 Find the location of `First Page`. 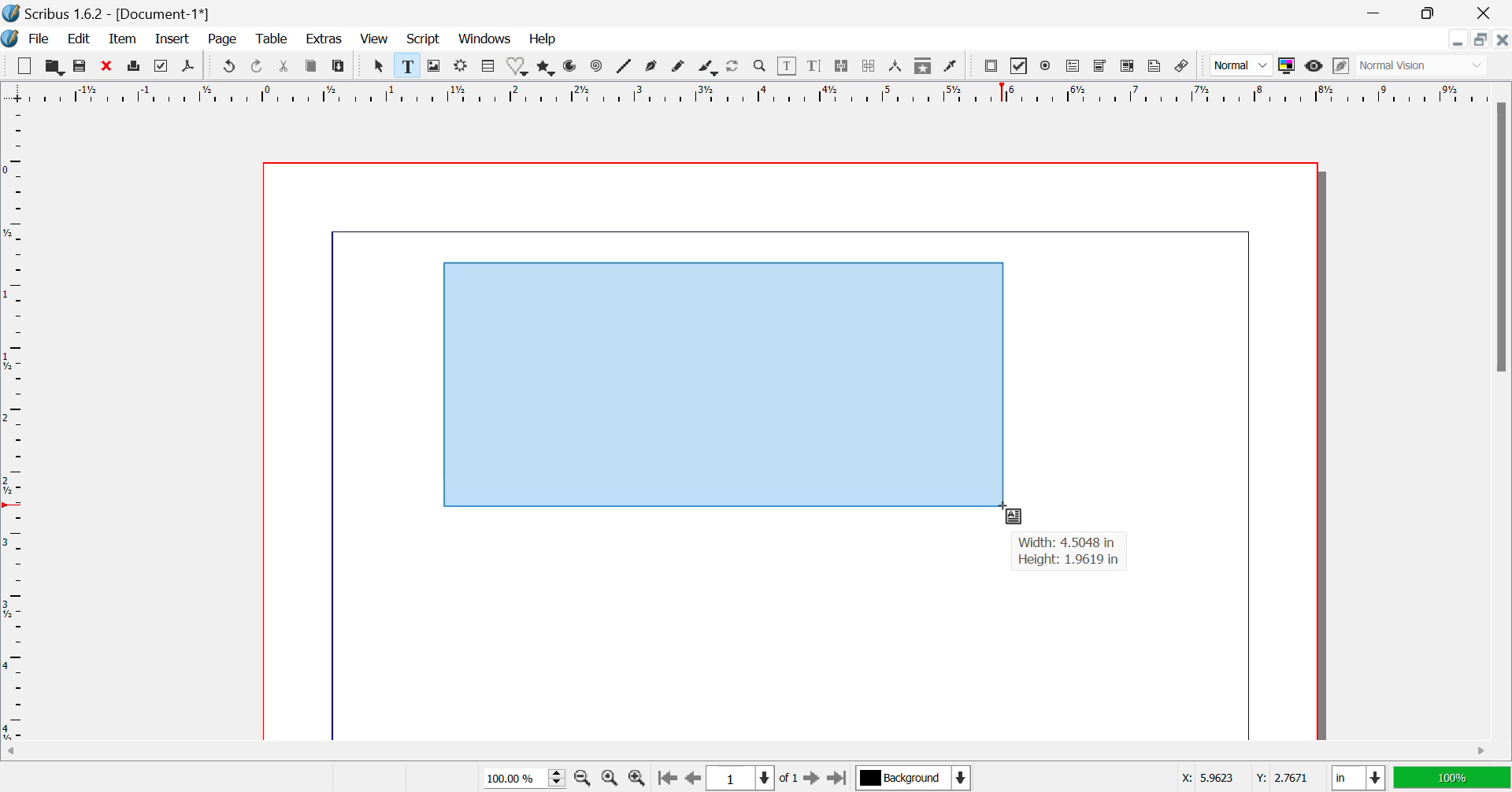

First Page is located at coordinates (666, 778).